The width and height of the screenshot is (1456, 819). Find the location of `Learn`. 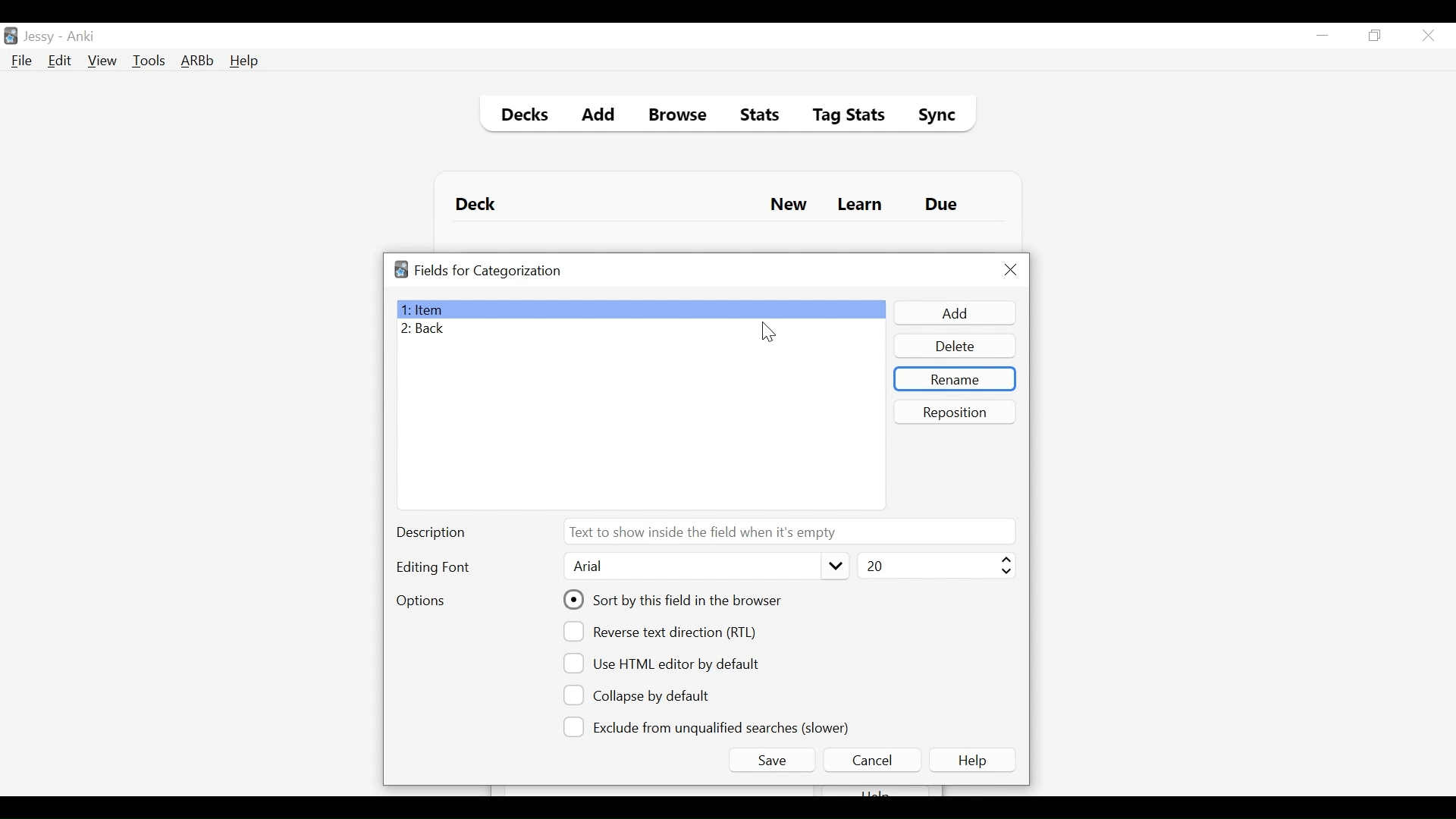

Learn is located at coordinates (859, 206).